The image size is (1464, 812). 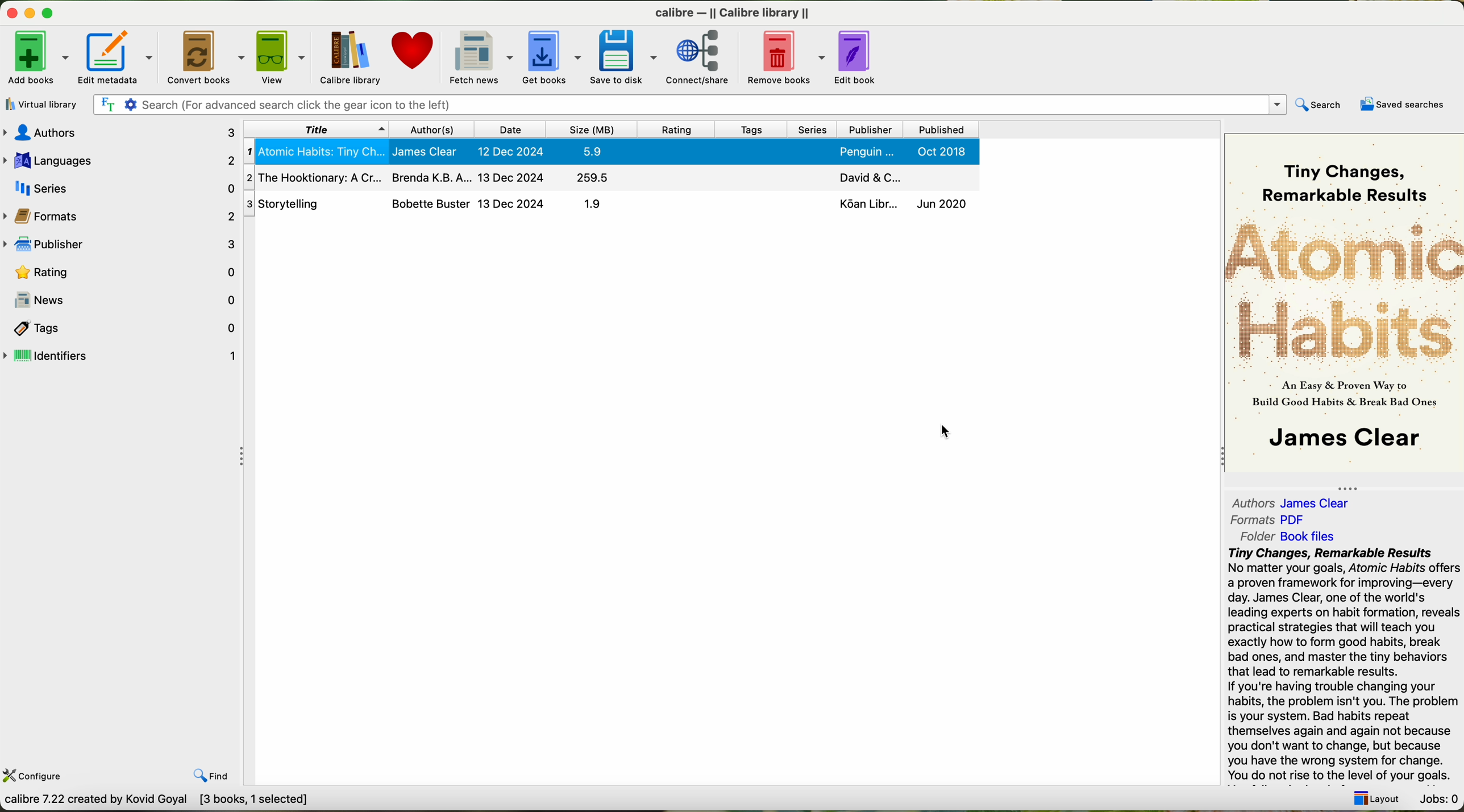 What do you see at coordinates (872, 128) in the screenshot?
I see `` at bounding box center [872, 128].